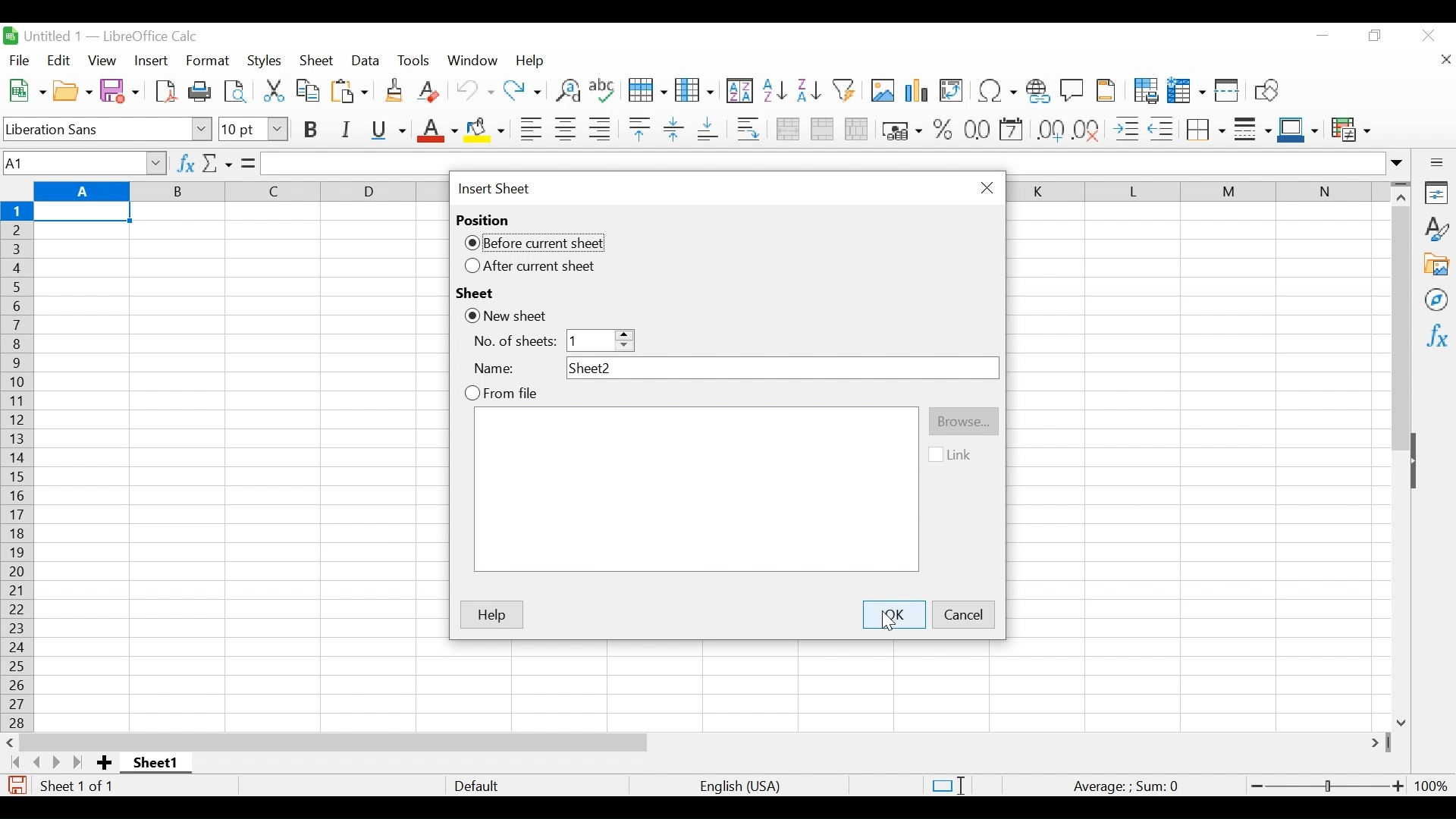 This screenshot has height=819, width=1456. Describe the element at coordinates (673, 130) in the screenshot. I see `Center Vertically` at that location.